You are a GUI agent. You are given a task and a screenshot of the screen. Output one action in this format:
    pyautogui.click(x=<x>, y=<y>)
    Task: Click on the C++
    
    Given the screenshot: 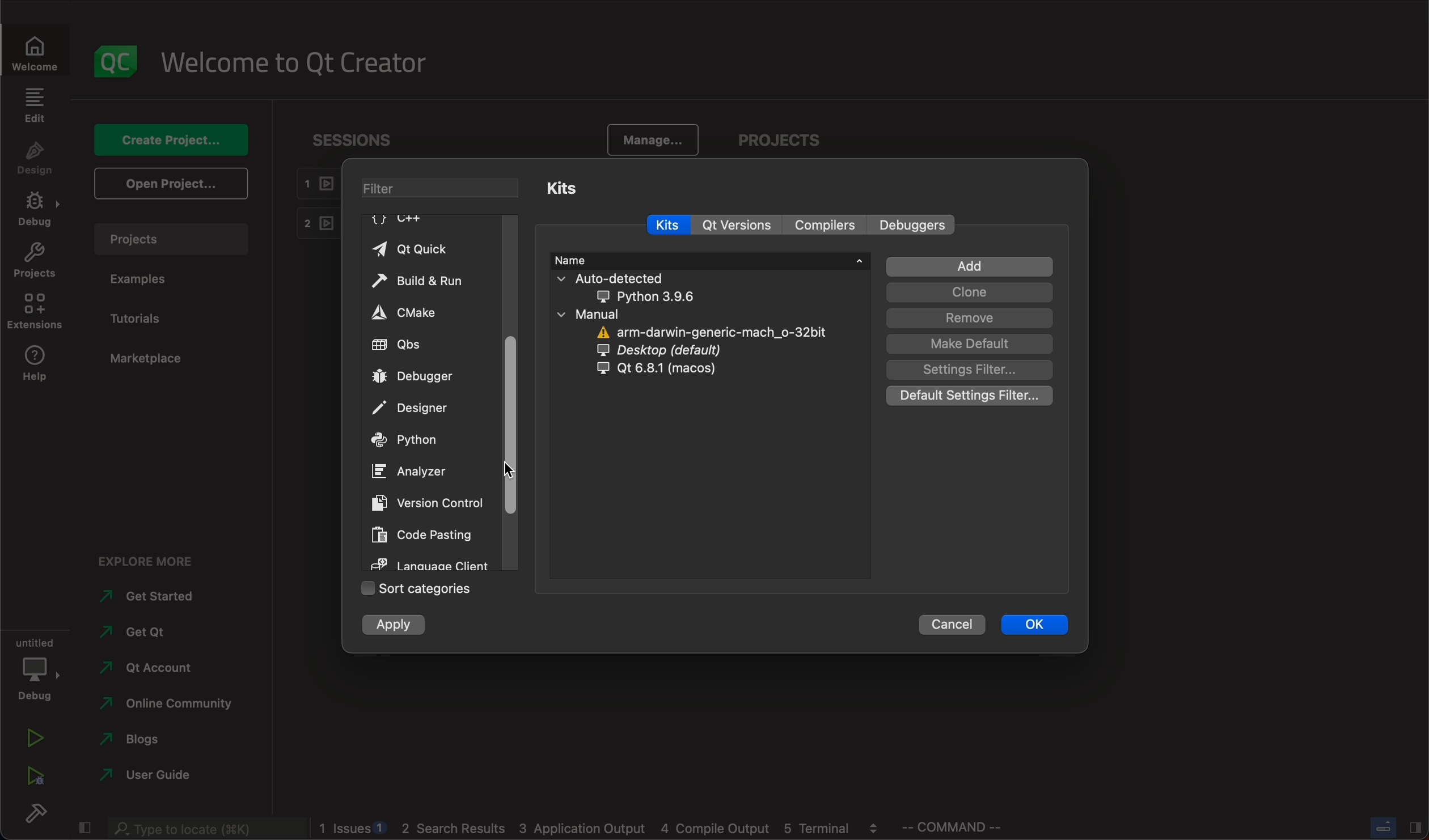 What is the action you would take?
    pyautogui.click(x=396, y=219)
    